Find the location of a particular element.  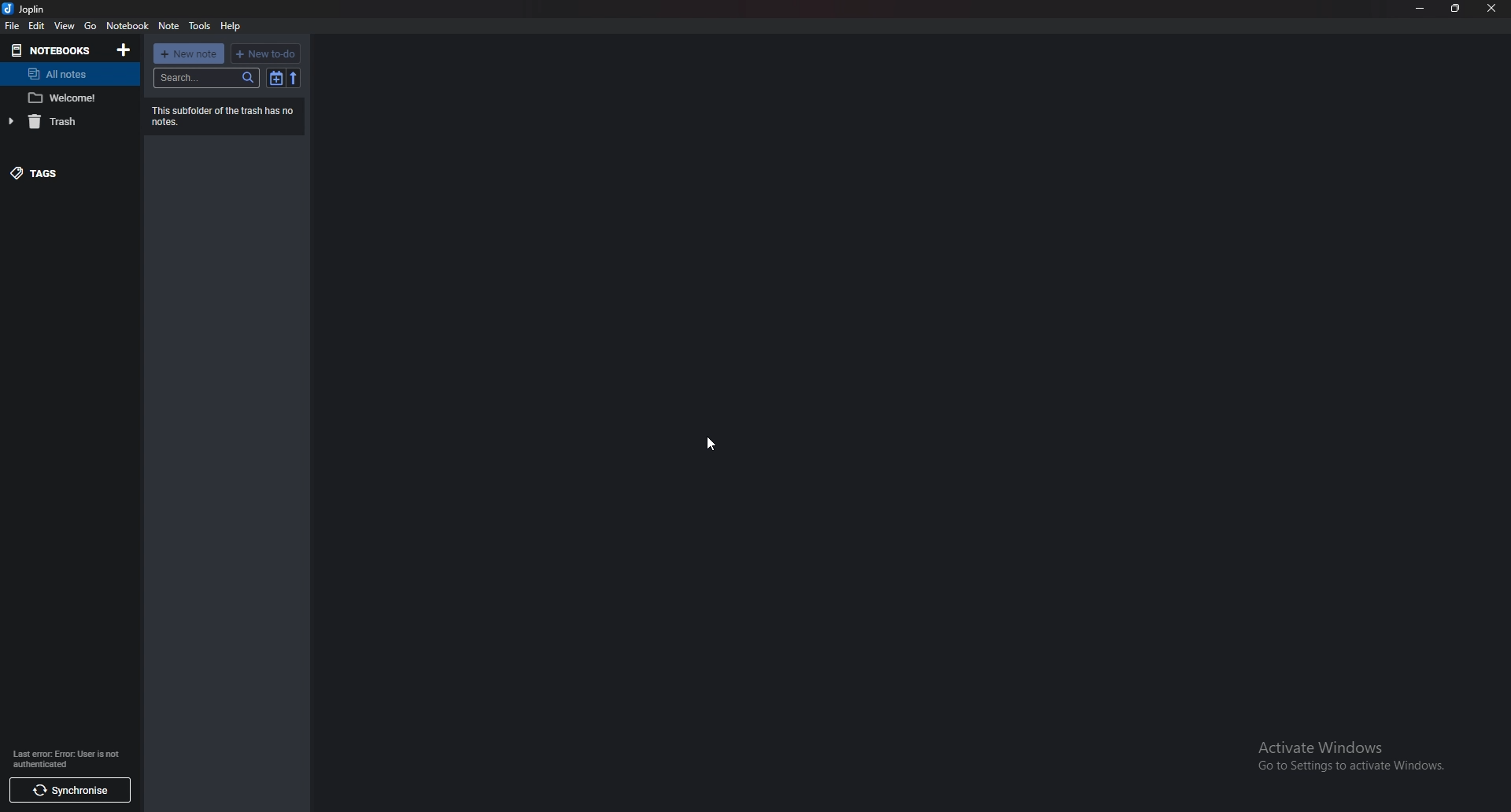

Toggle sort is located at coordinates (276, 78).